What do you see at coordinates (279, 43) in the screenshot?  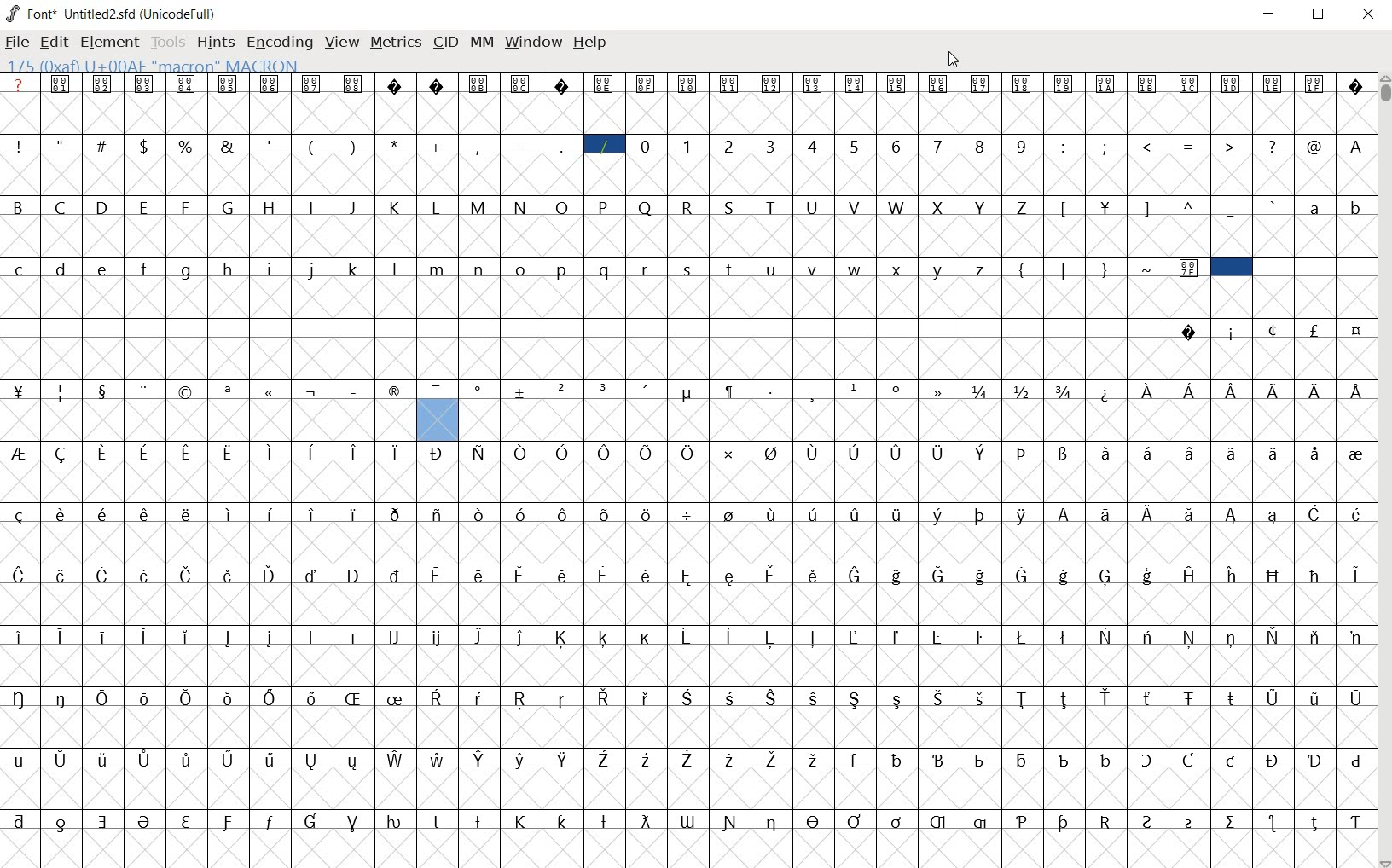 I see `encoding` at bounding box center [279, 43].